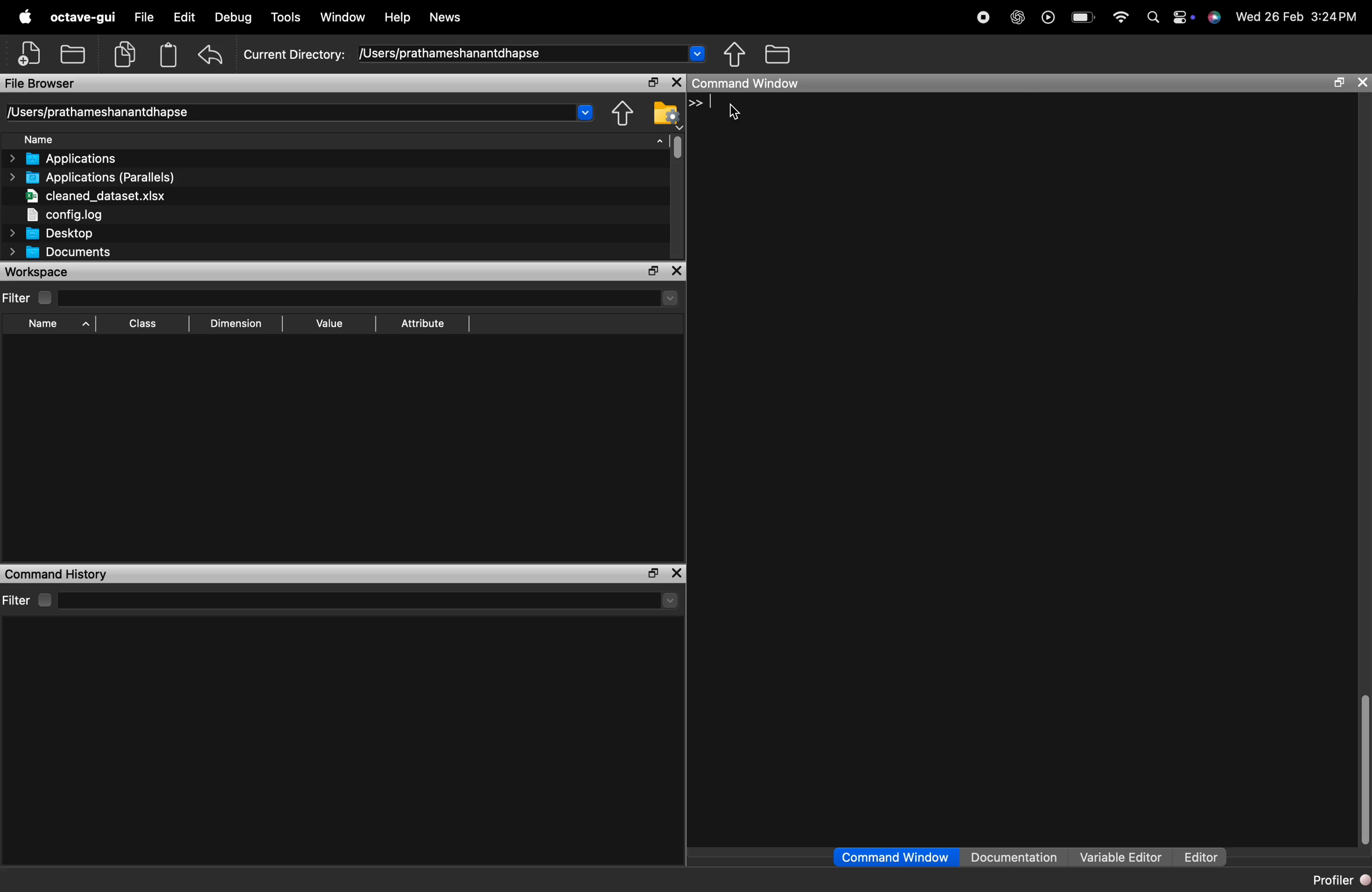 This screenshot has height=892, width=1372. Describe the element at coordinates (678, 272) in the screenshot. I see `Close` at that location.